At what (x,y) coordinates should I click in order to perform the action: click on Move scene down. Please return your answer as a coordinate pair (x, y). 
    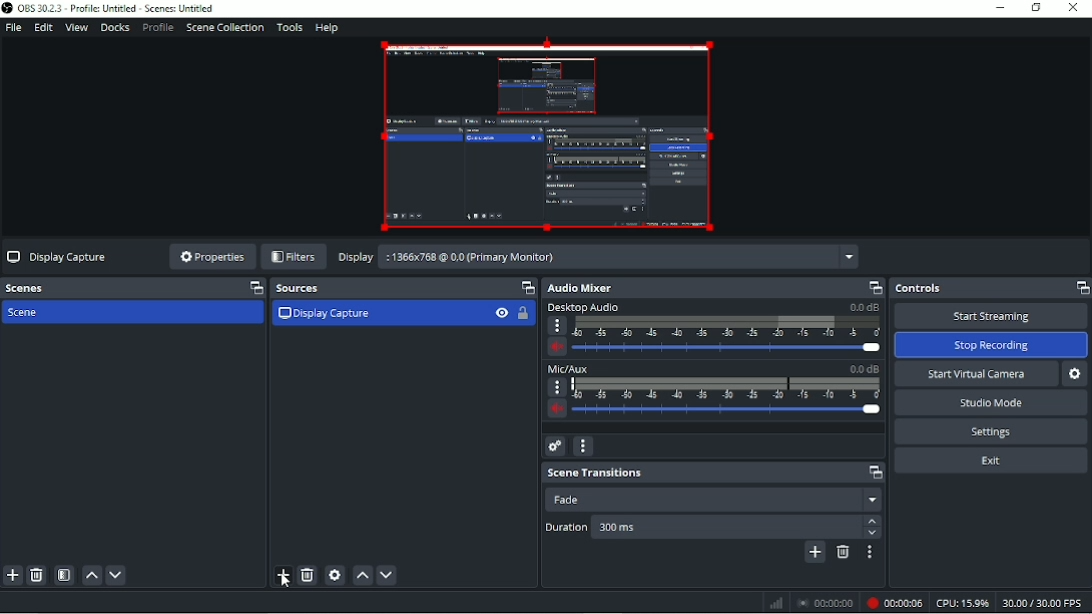
    Looking at the image, I should click on (117, 574).